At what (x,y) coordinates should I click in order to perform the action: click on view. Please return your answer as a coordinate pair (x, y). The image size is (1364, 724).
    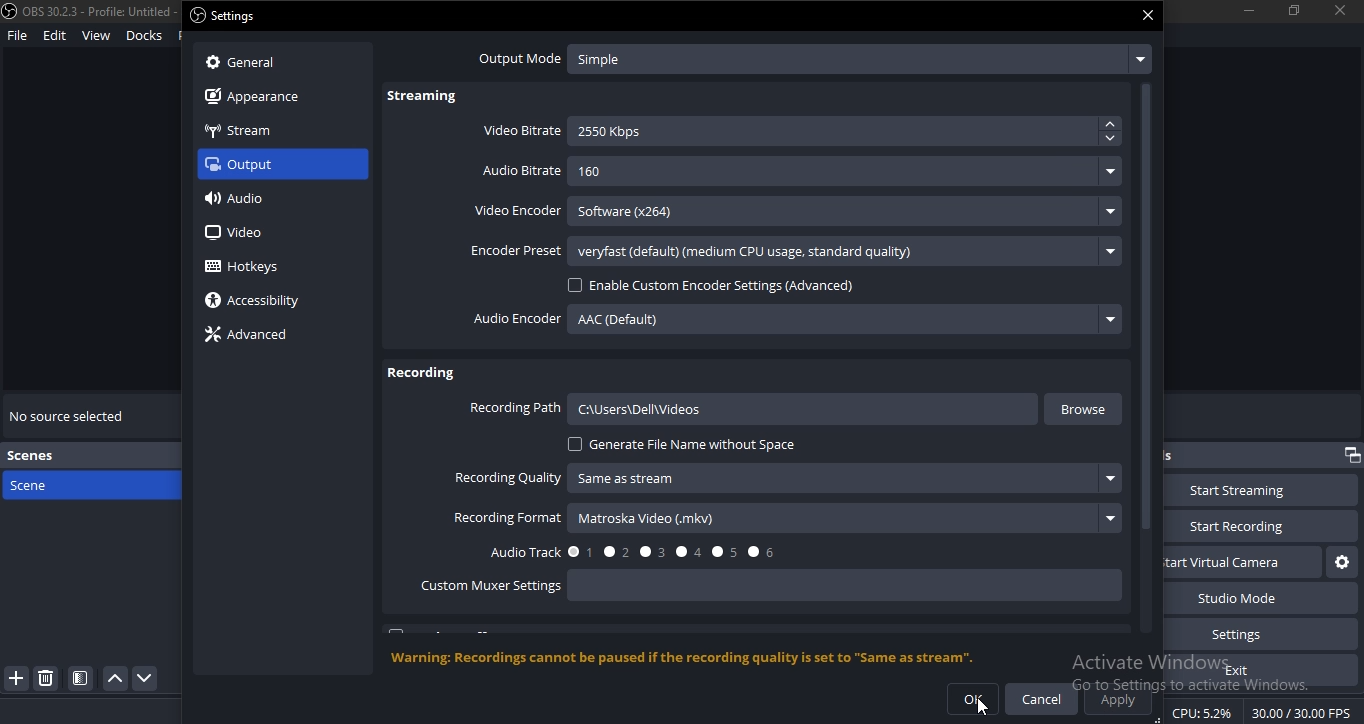
    Looking at the image, I should click on (95, 36).